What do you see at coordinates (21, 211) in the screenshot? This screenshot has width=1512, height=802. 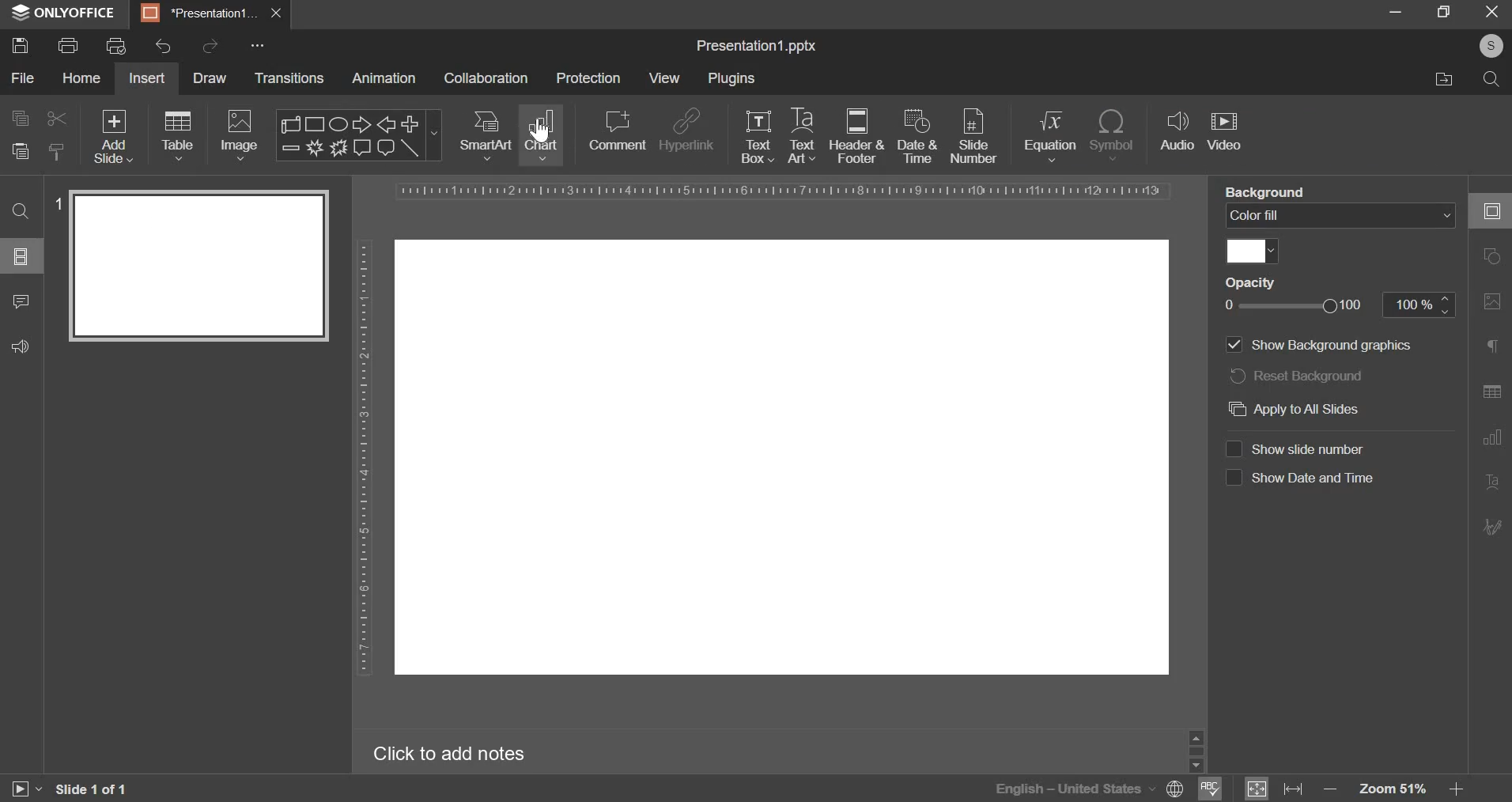 I see `find` at bounding box center [21, 211].